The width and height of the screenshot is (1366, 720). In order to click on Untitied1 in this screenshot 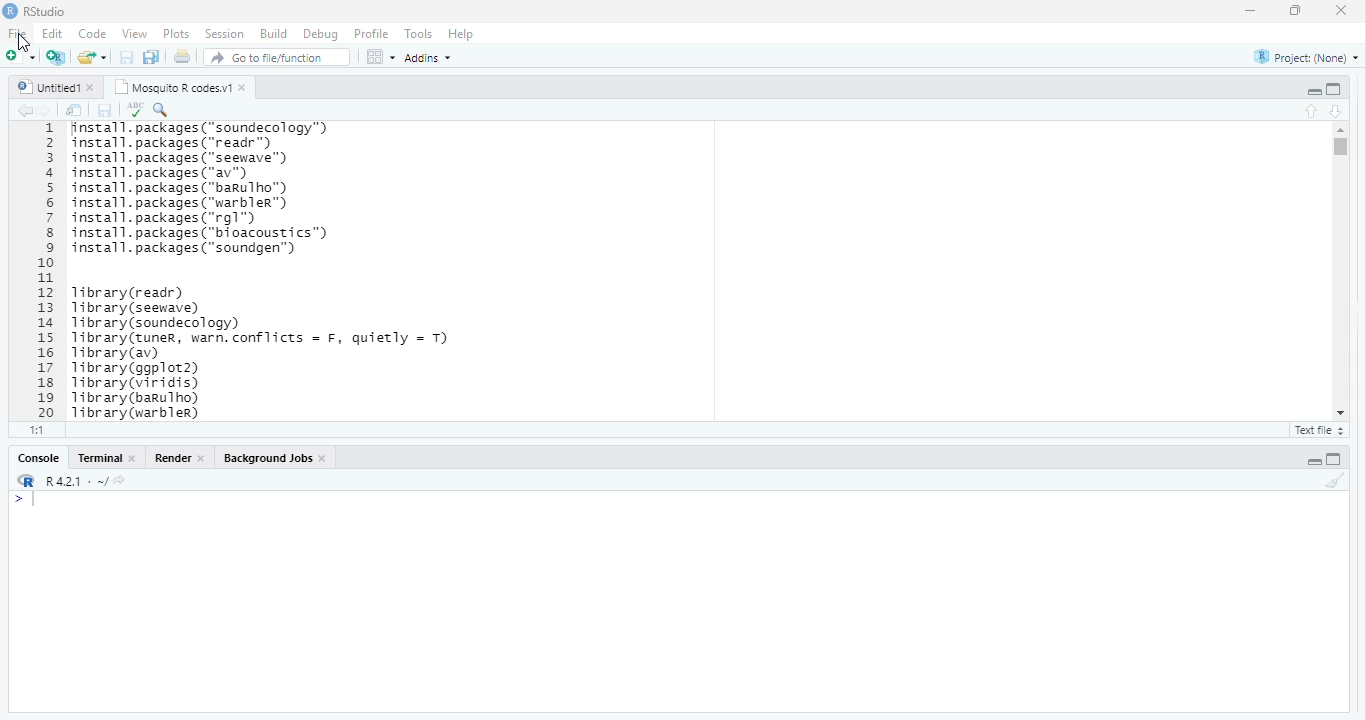, I will do `click(49, 87)`.